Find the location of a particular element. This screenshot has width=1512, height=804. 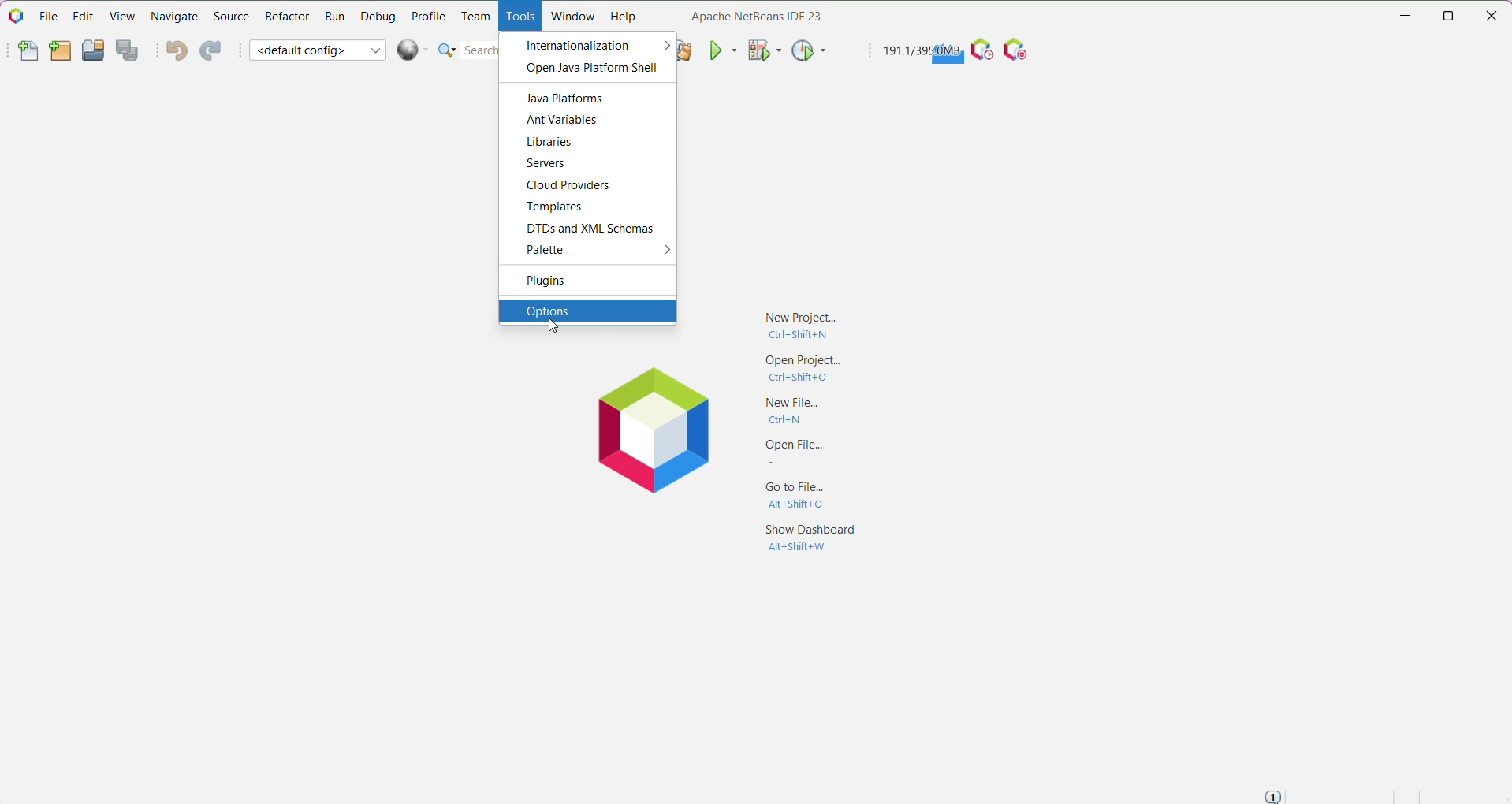

DTDs and XML Schemas is located at coordinates (590, 229).